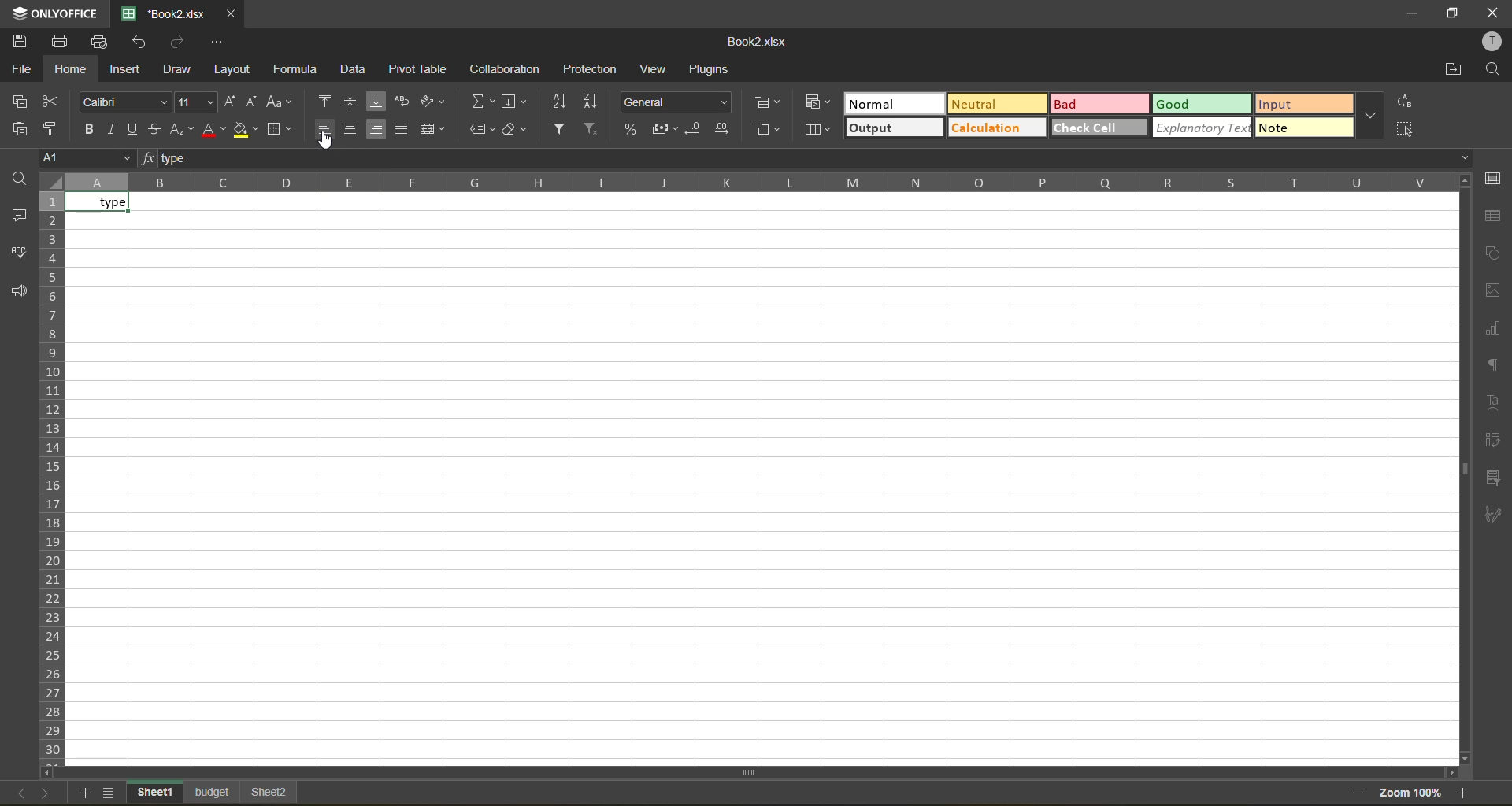 The width and height of the screenshot is (1512, 806). I want to click on cell address, so click(90, 157).